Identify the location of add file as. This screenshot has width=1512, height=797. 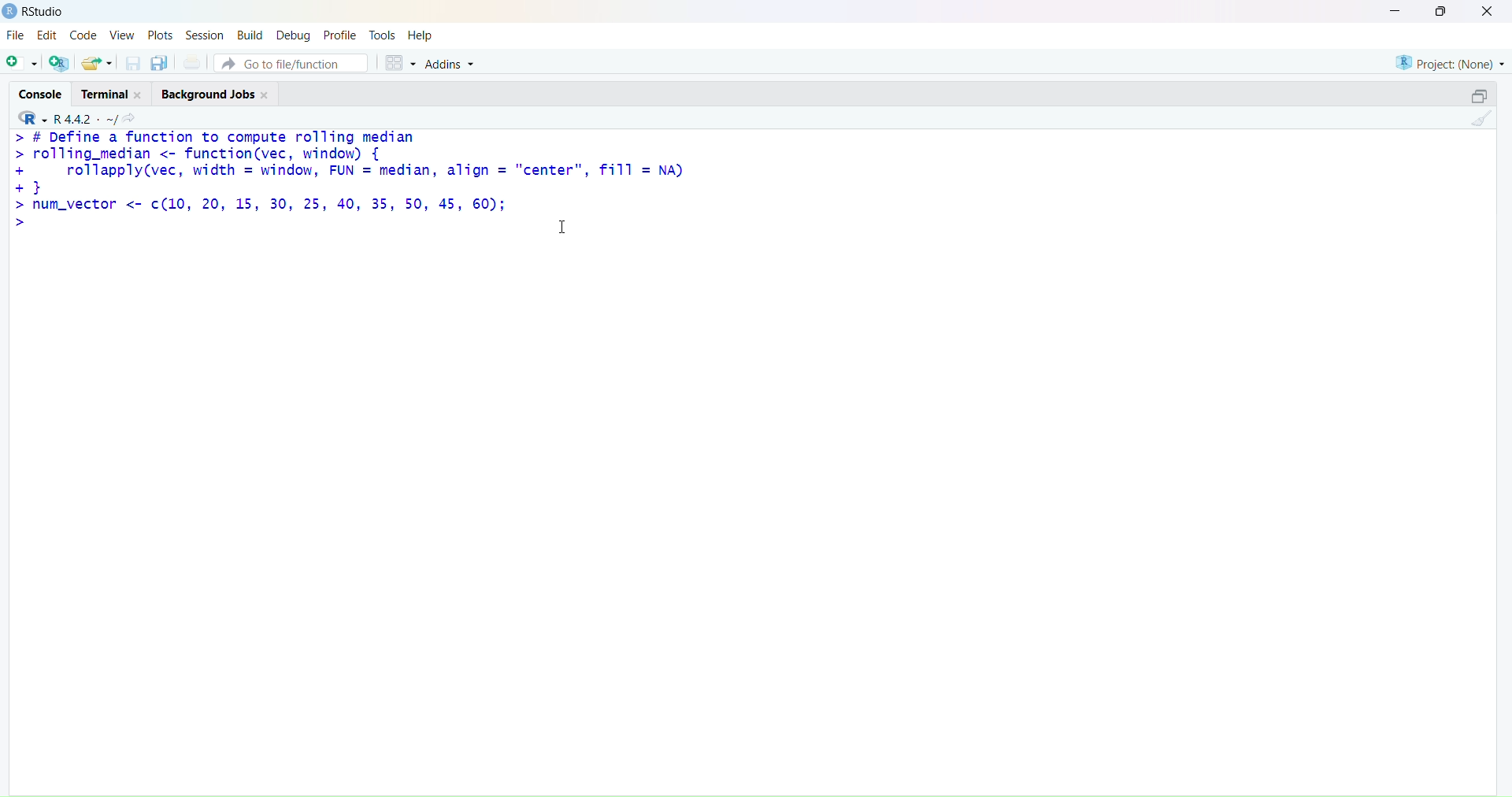
(22, 63).